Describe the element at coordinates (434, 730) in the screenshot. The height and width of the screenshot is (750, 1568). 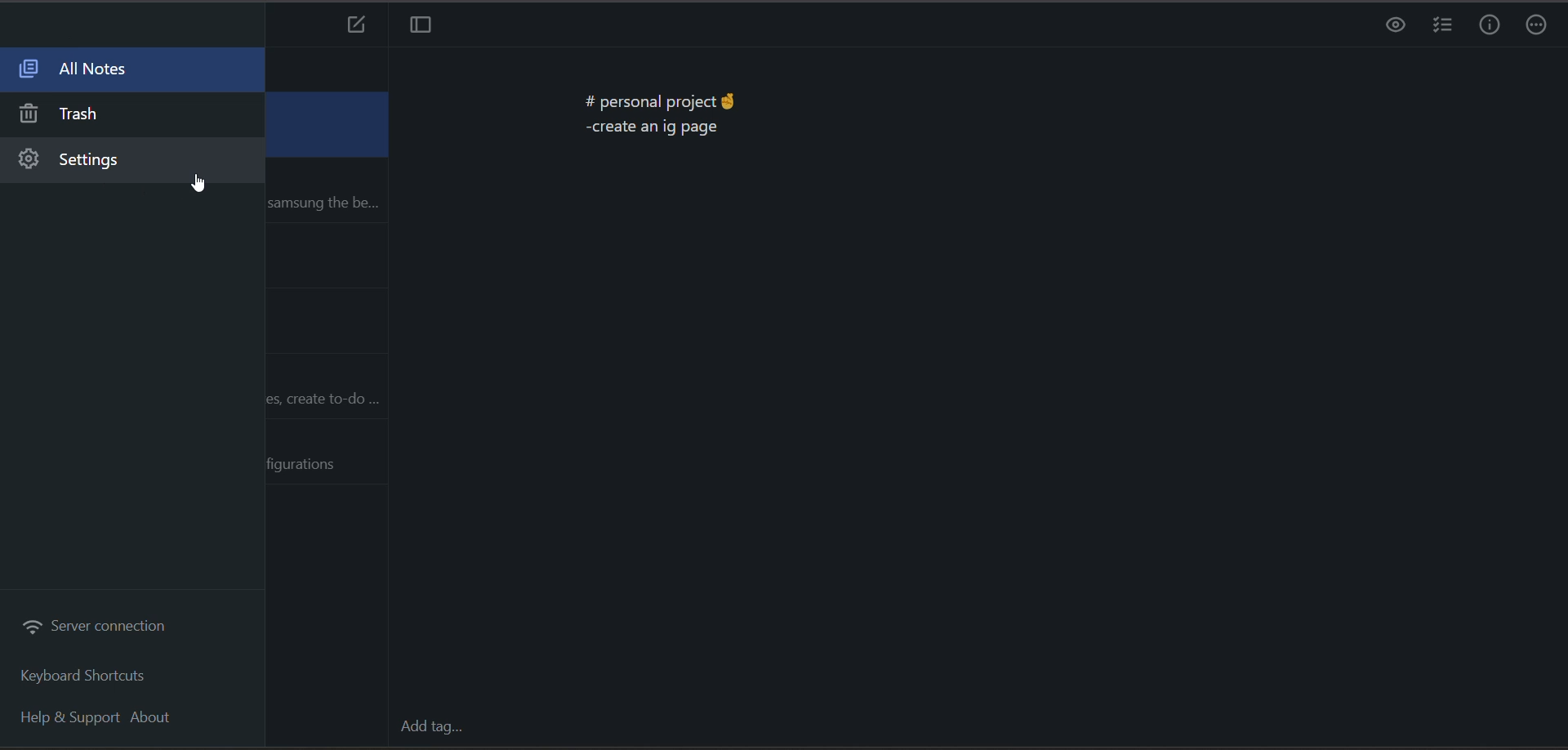
I see `add tag` at that location.